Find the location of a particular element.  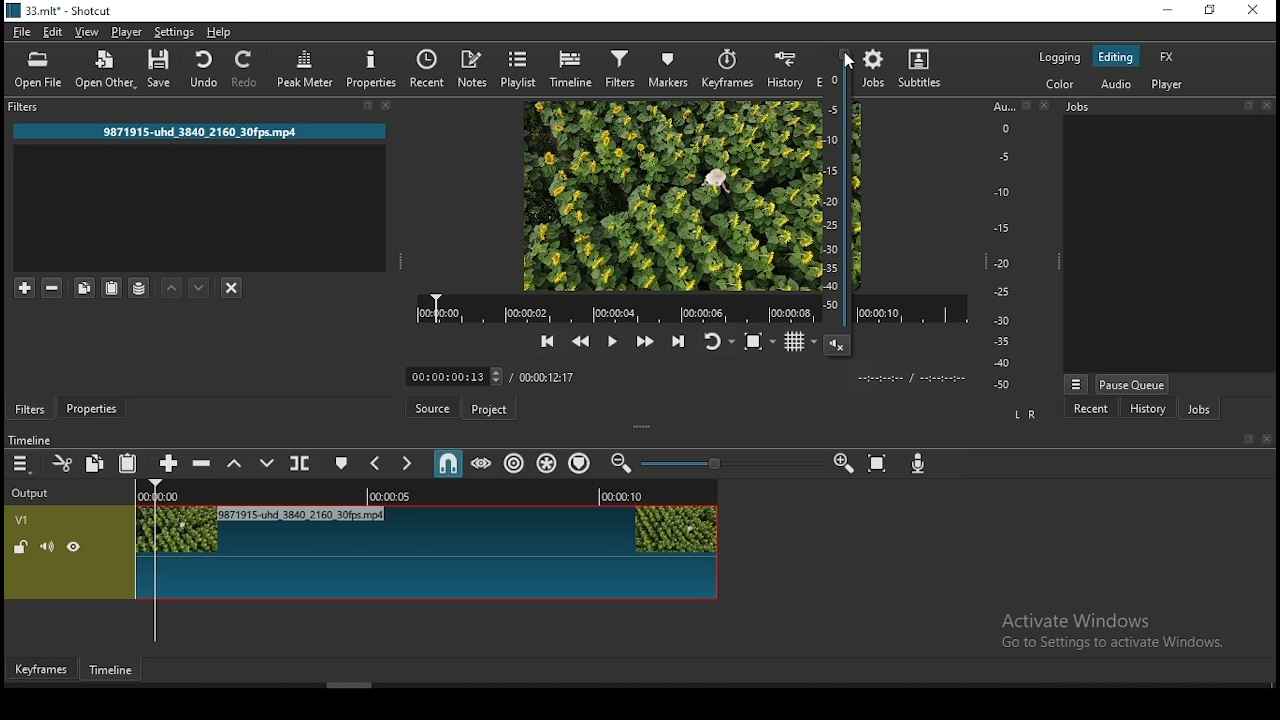

play quickly backward is located at coordinates (579, 341).